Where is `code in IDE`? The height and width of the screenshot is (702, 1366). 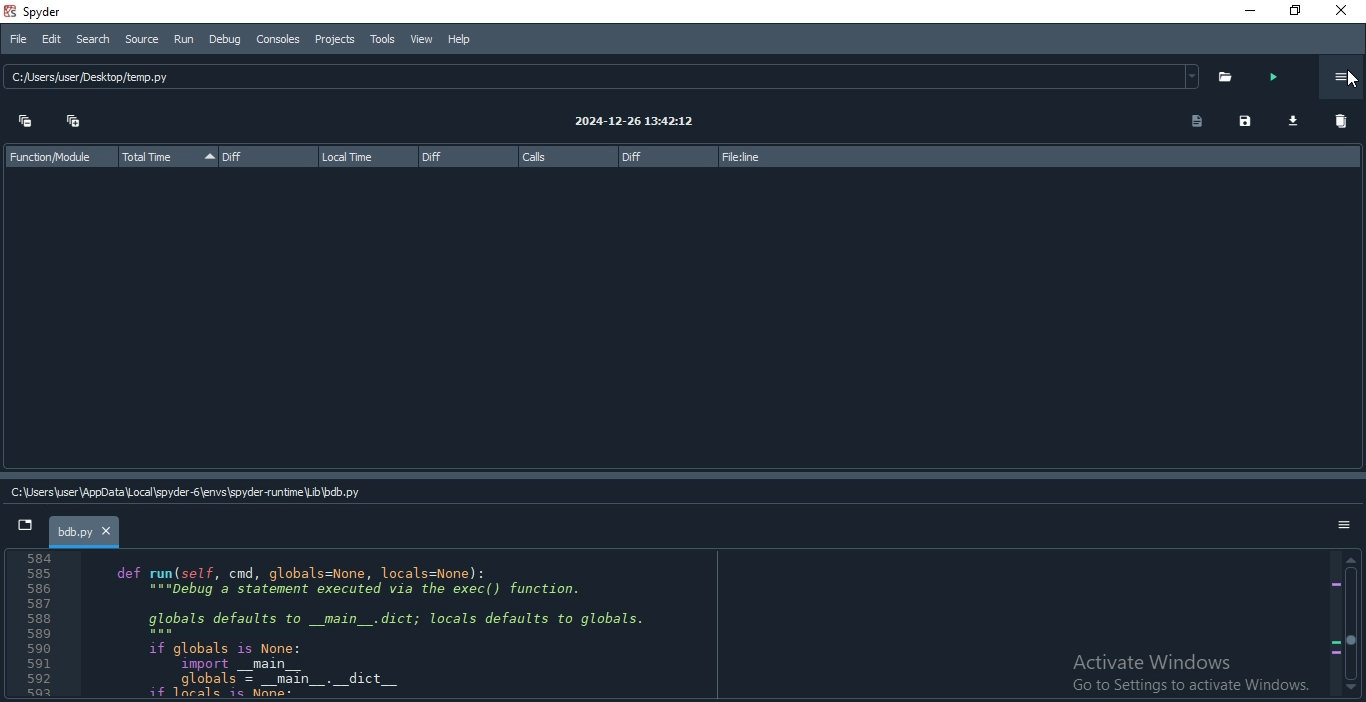 code in IDE is located at coordinates (669, 625).